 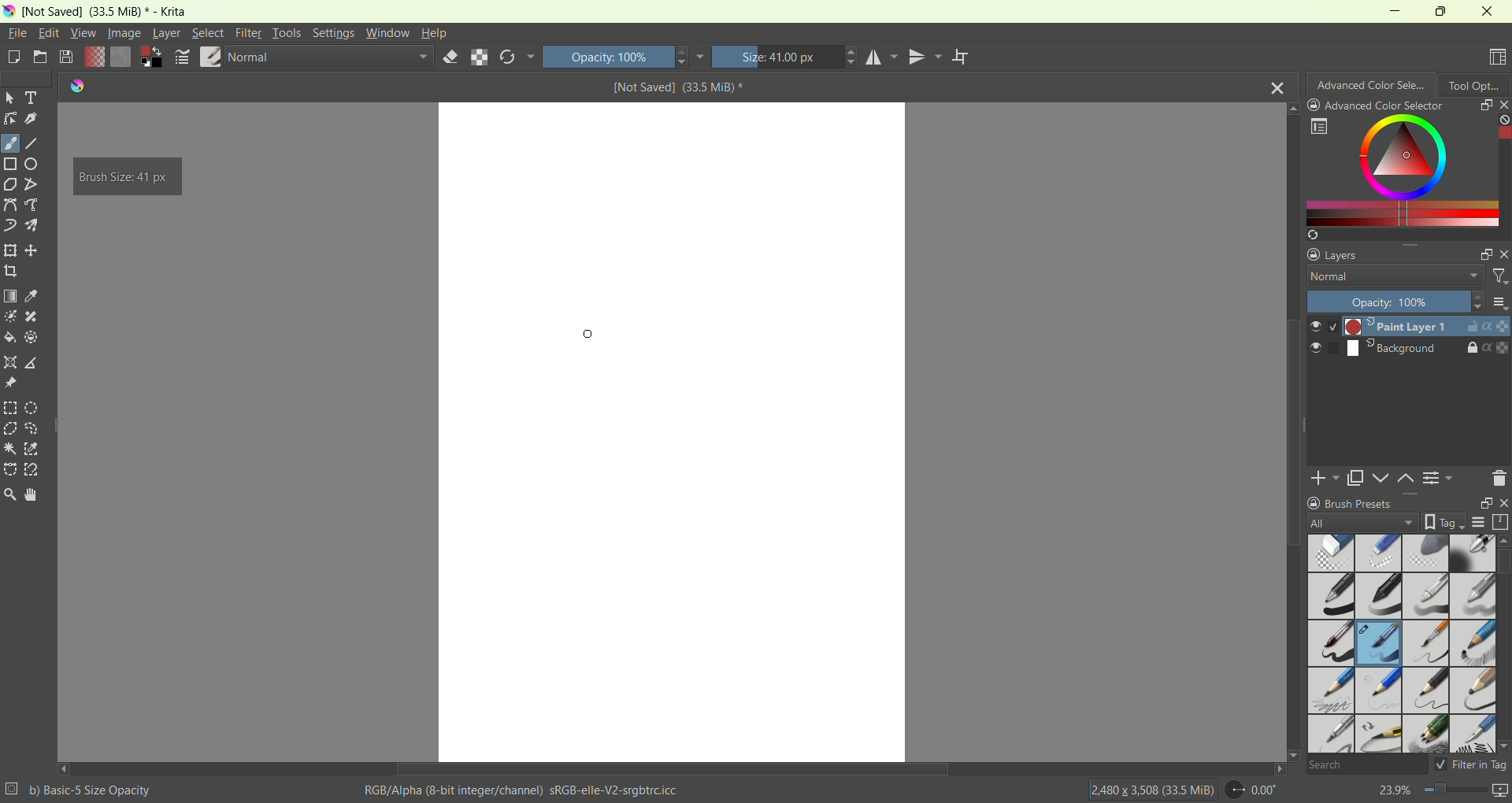 I want to click on [Not Saved] (33.5 MiB) *, so click(x=679, y=87).